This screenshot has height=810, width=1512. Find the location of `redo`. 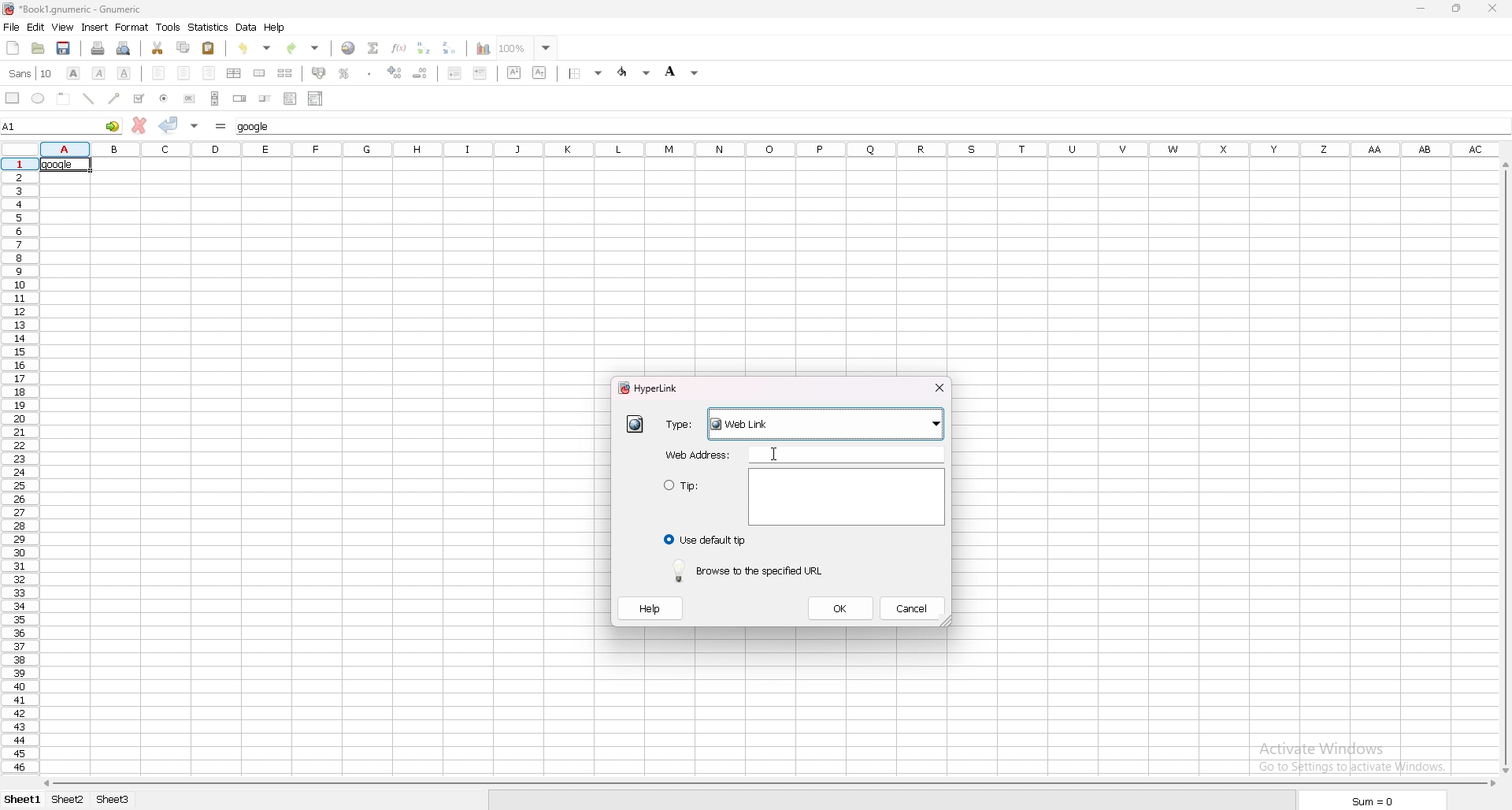

redo is located at coordinates (304, 48).